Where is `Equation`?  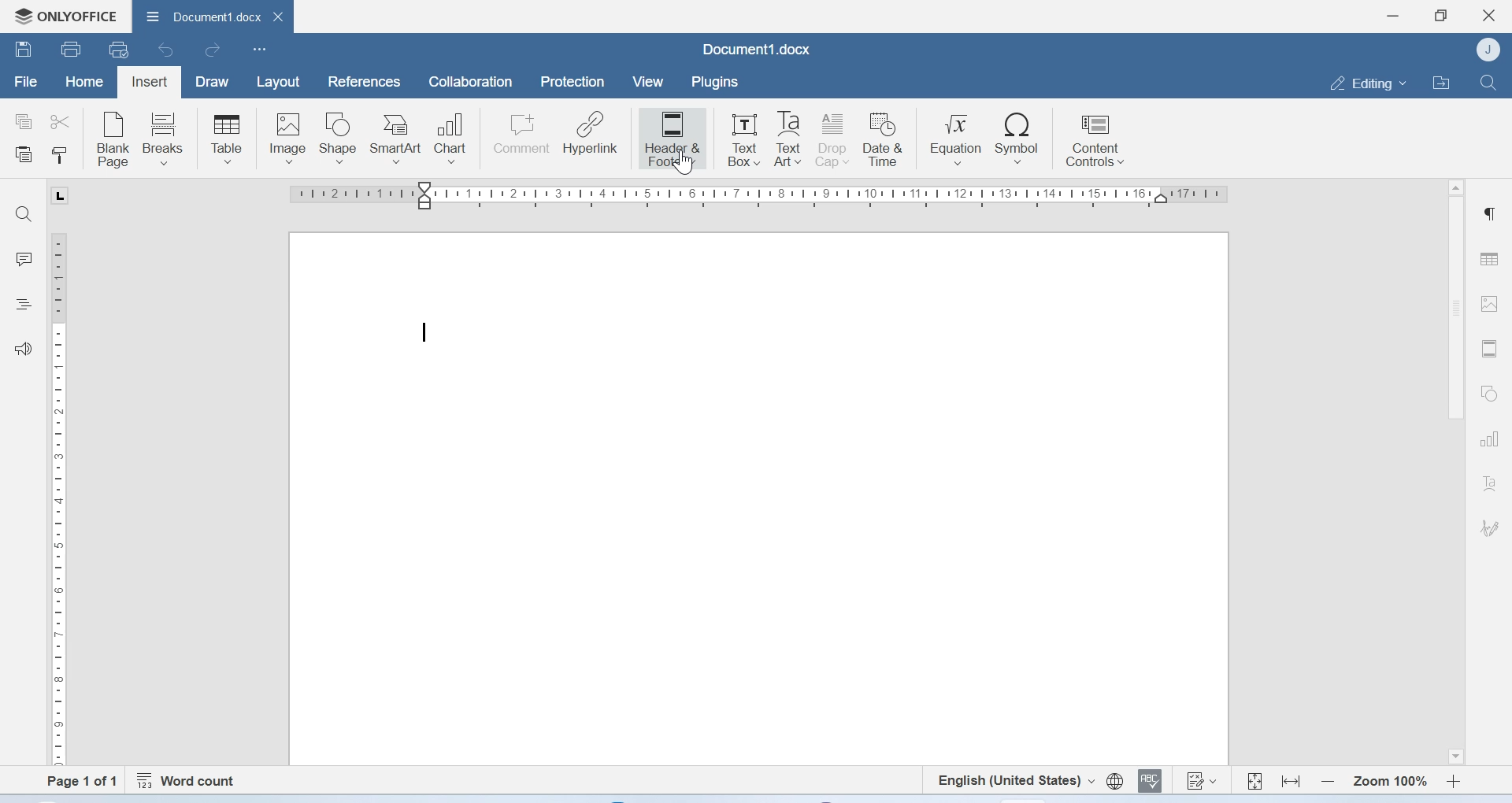 Equation is located at coordinates (957, 139).